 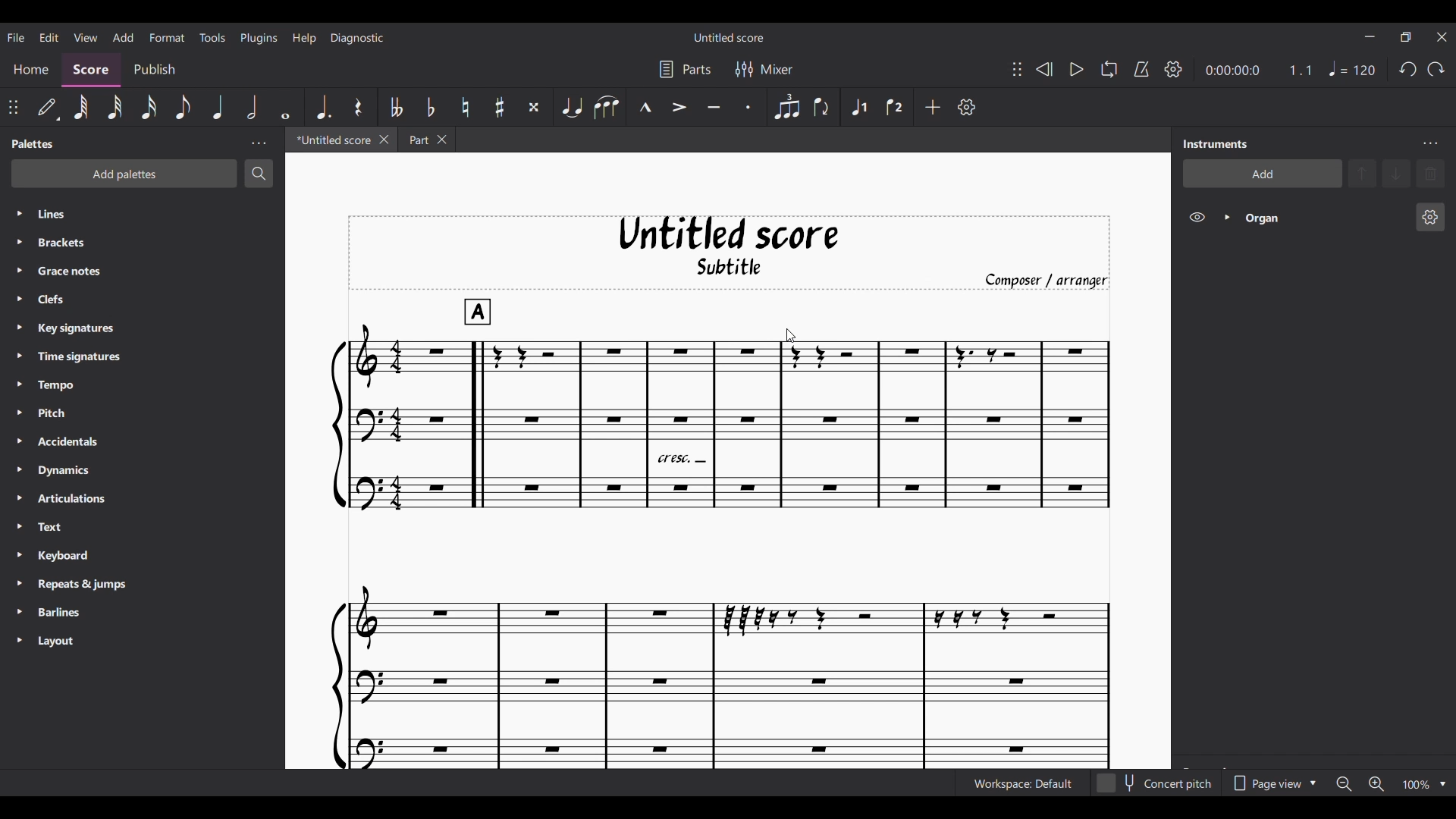 I want to click on Half note, so click(x=251, y=106).